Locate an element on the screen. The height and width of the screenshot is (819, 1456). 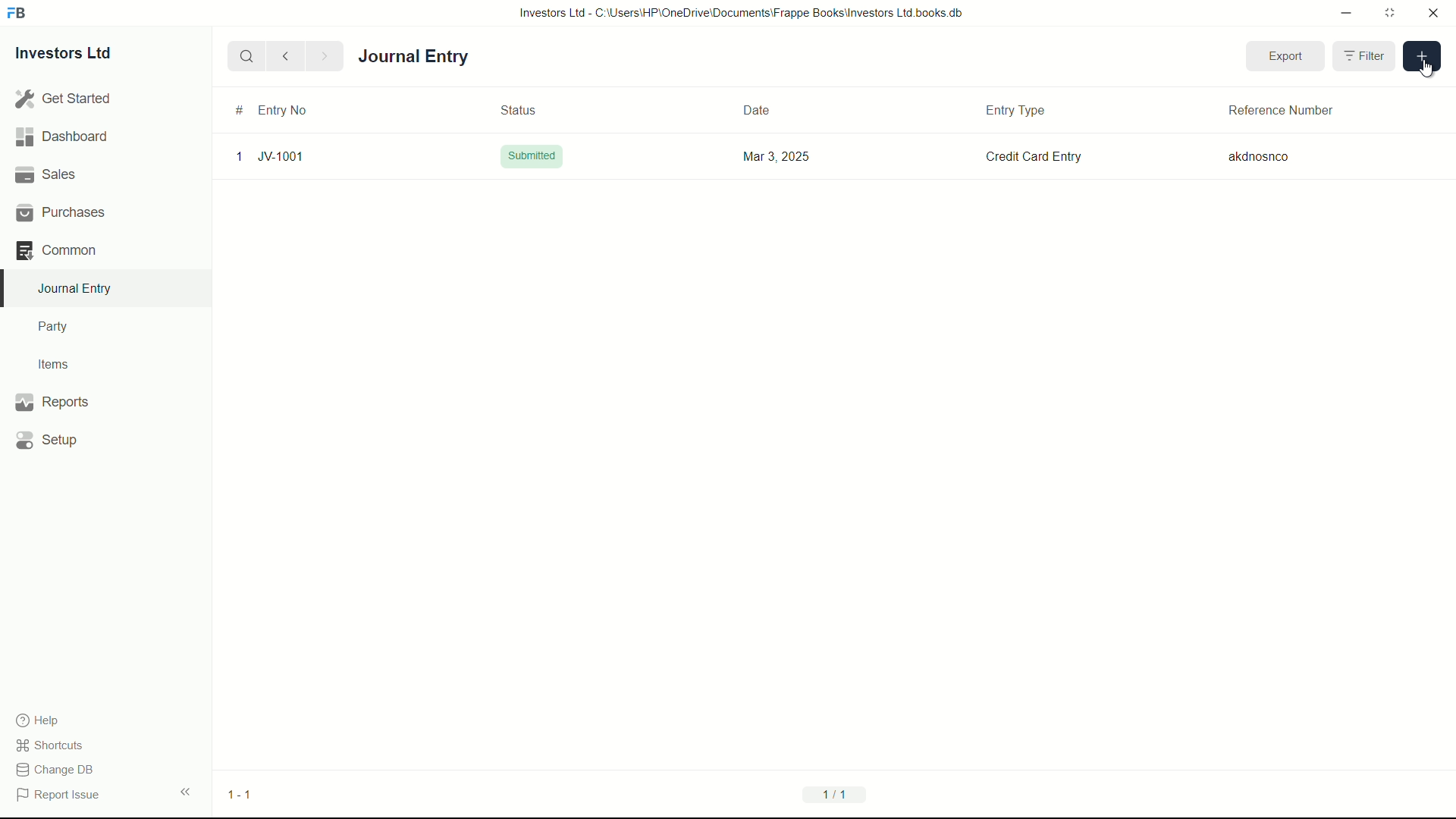
Next is located at coordinates (322, 56).